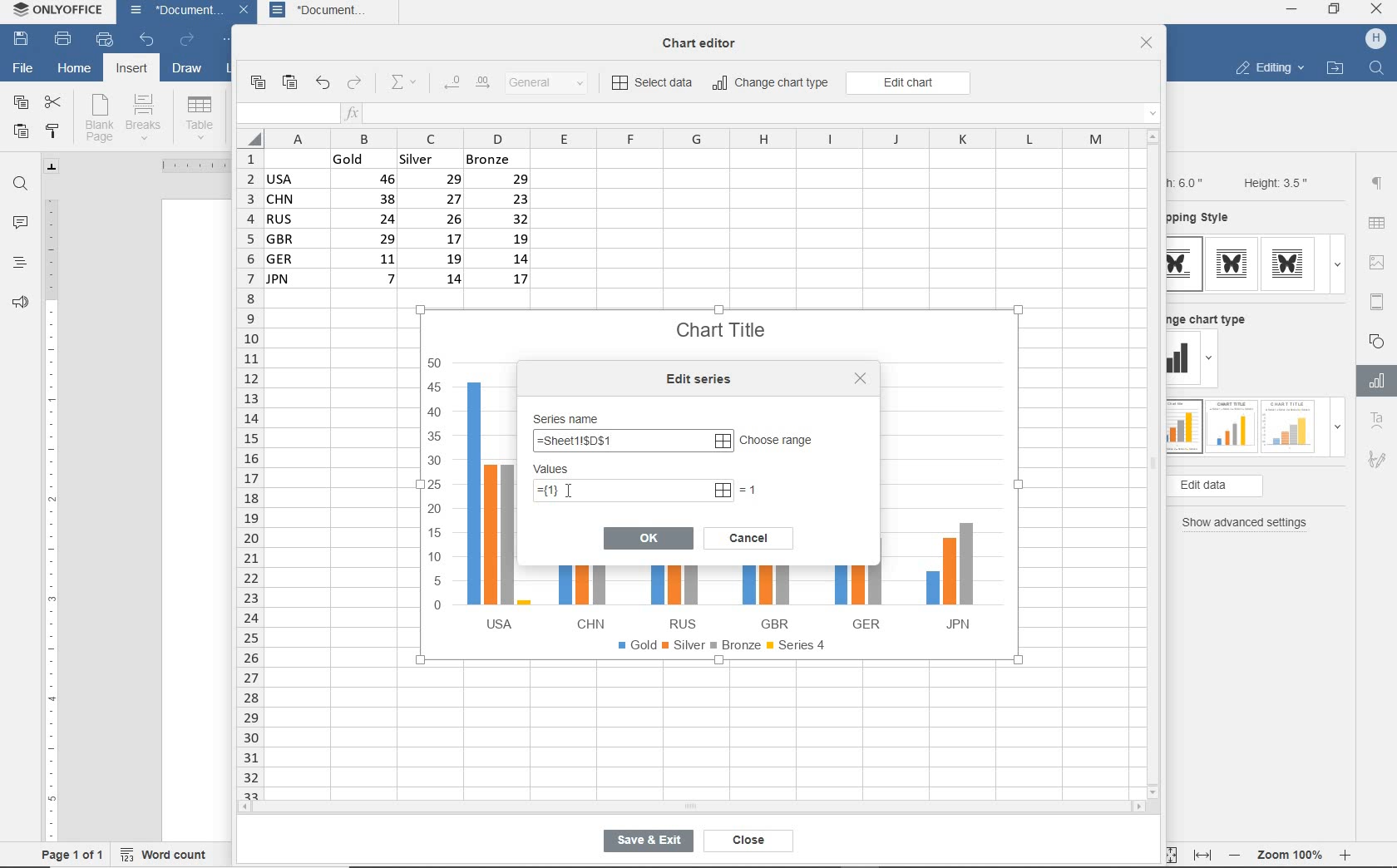 The height and width of the screenshot is (868, 1397). Describe the element at coordinates (1249, 523) in the screenshot. I see `show advanced settings` at that location.